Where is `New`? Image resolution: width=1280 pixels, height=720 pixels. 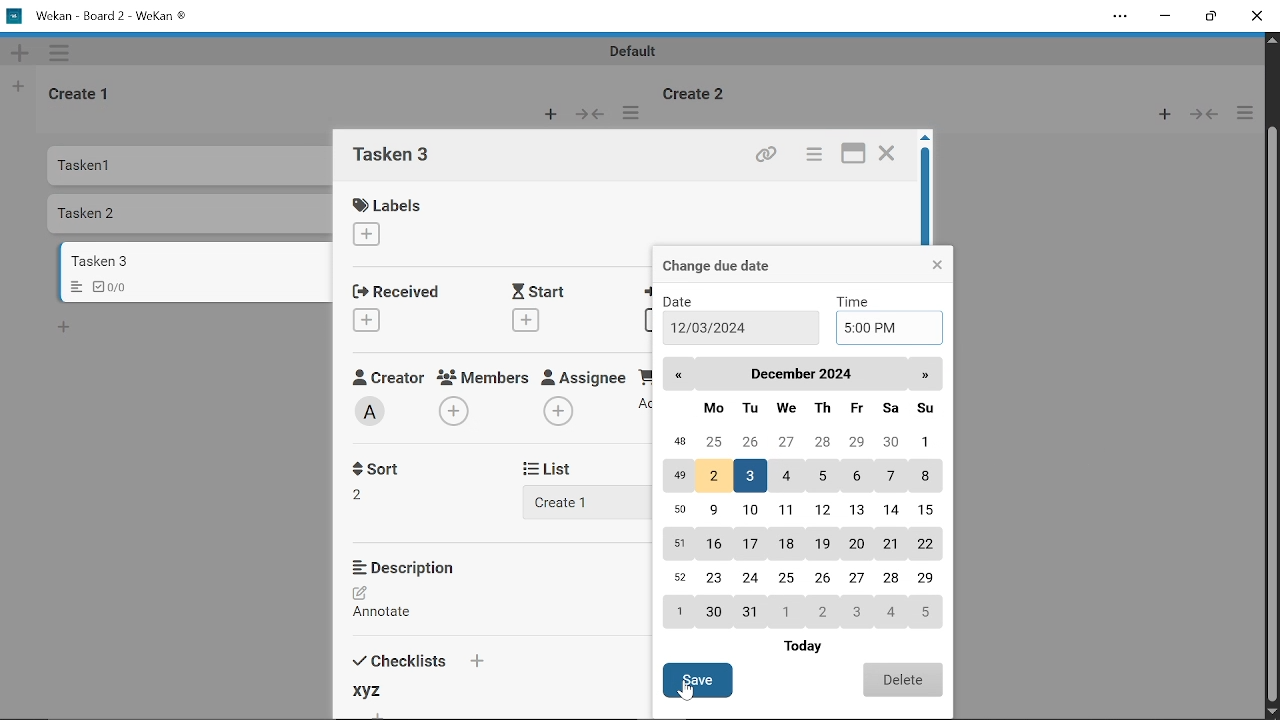 New is located at coordinates (550, 115).